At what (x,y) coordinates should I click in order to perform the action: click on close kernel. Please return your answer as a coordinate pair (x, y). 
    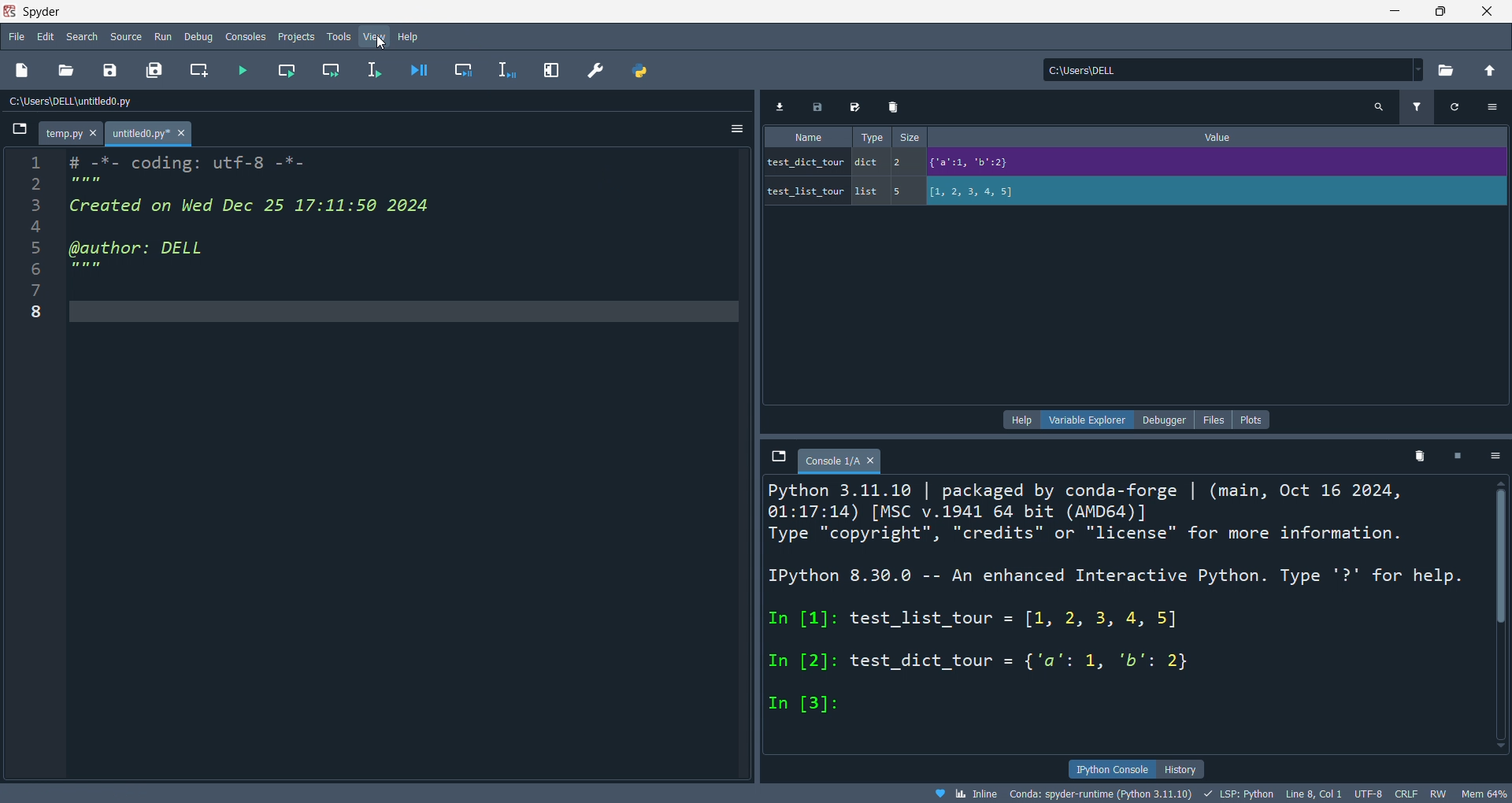
    Looking at the image, I should click on (1459, 458).